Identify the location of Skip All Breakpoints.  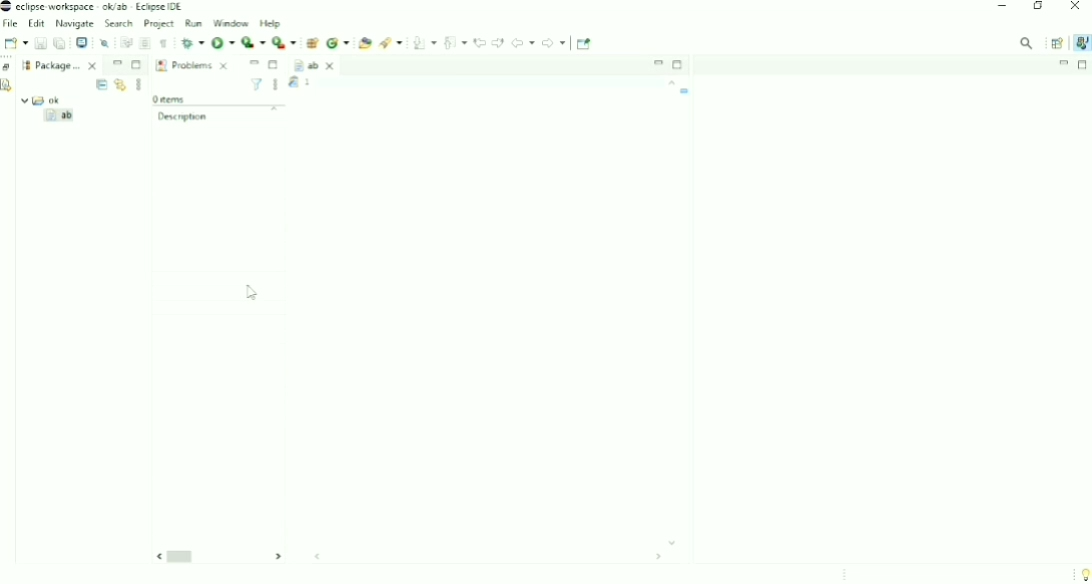
(104, 42).